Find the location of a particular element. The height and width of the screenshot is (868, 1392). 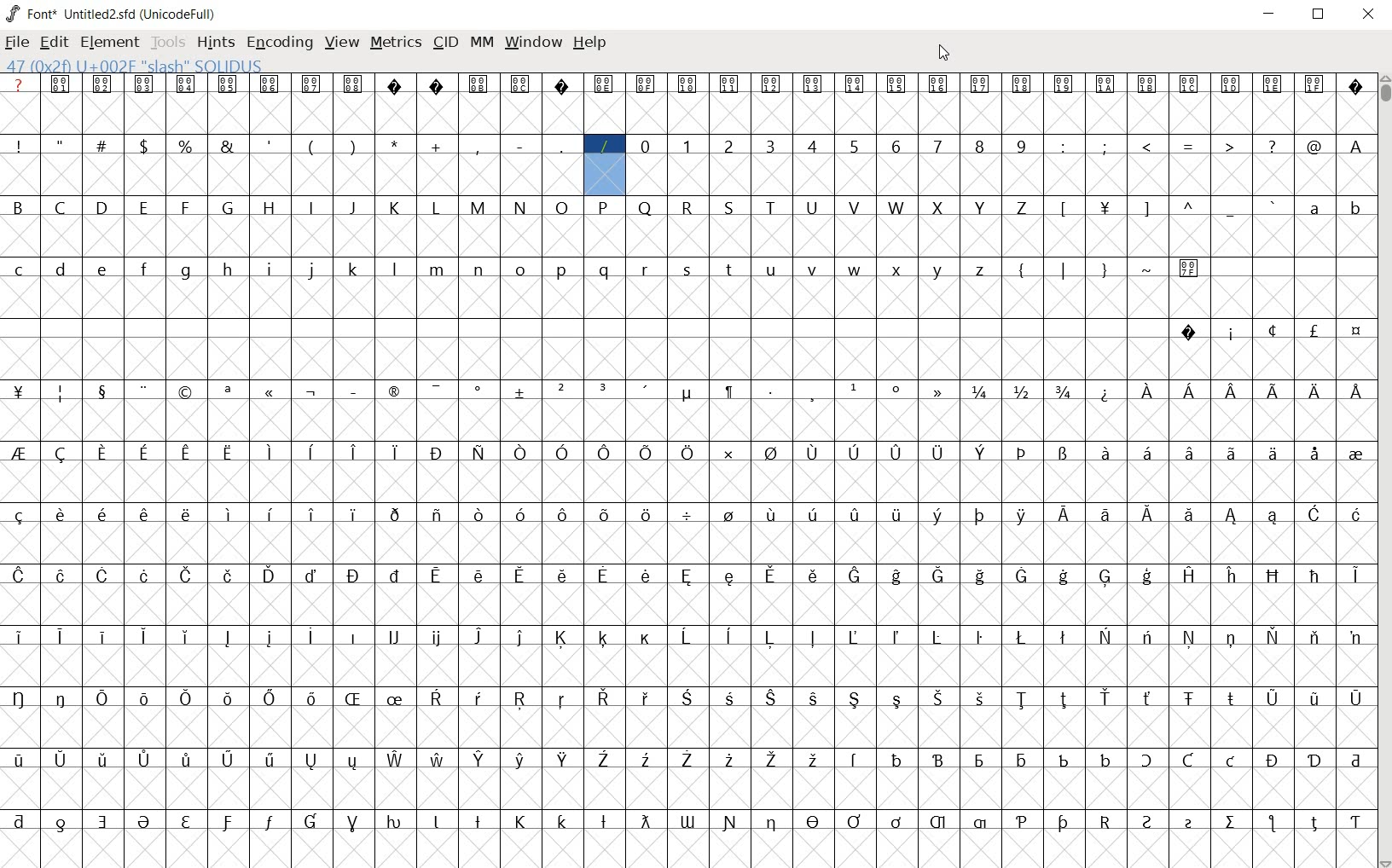

glyph is located at coordinates (1064, 270).